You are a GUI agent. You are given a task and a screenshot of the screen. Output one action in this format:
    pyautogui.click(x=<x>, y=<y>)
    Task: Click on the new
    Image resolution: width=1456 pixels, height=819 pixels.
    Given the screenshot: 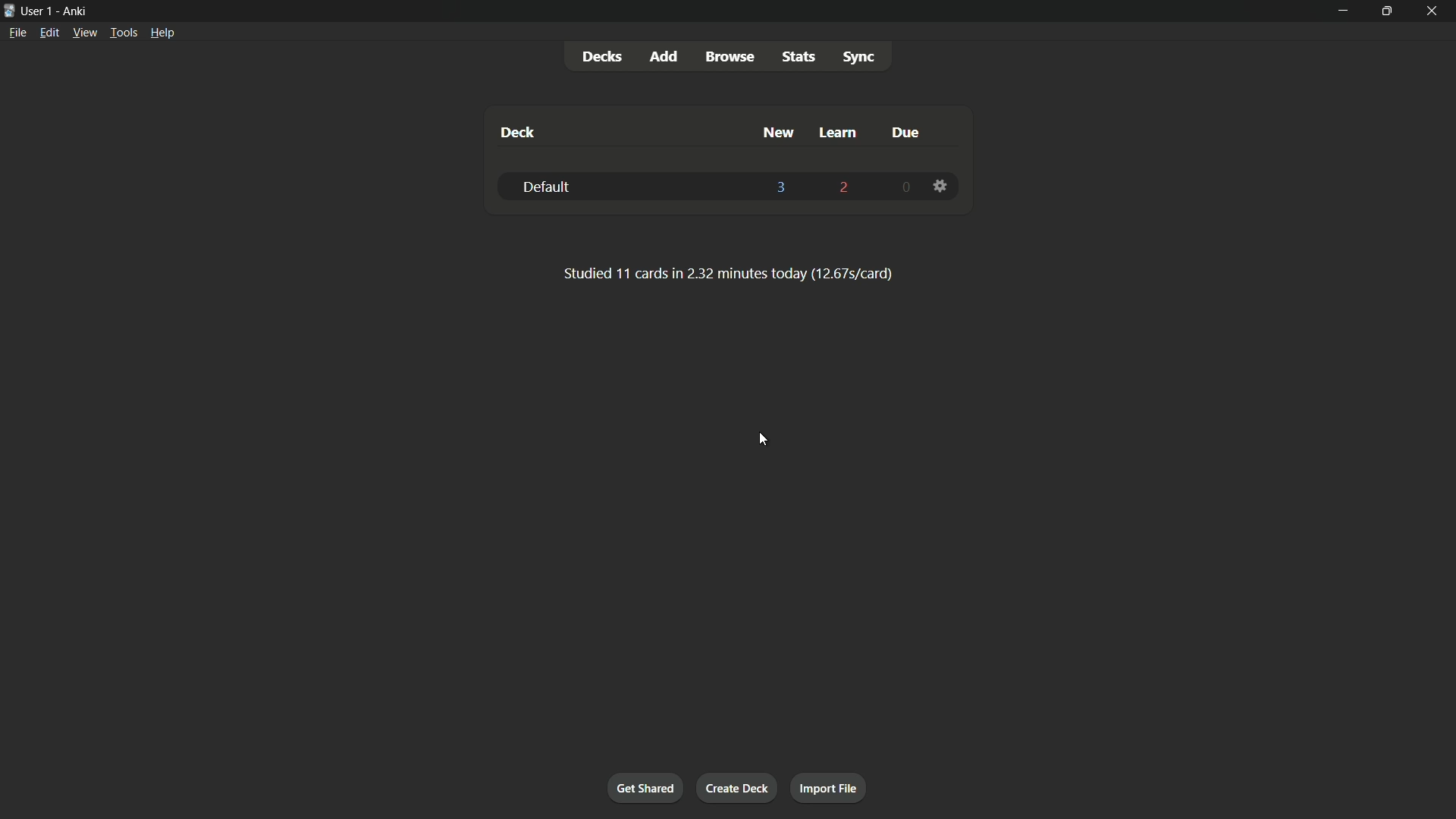 What is the action you would take?
    pyautogui.click(x=777, y=134)
    